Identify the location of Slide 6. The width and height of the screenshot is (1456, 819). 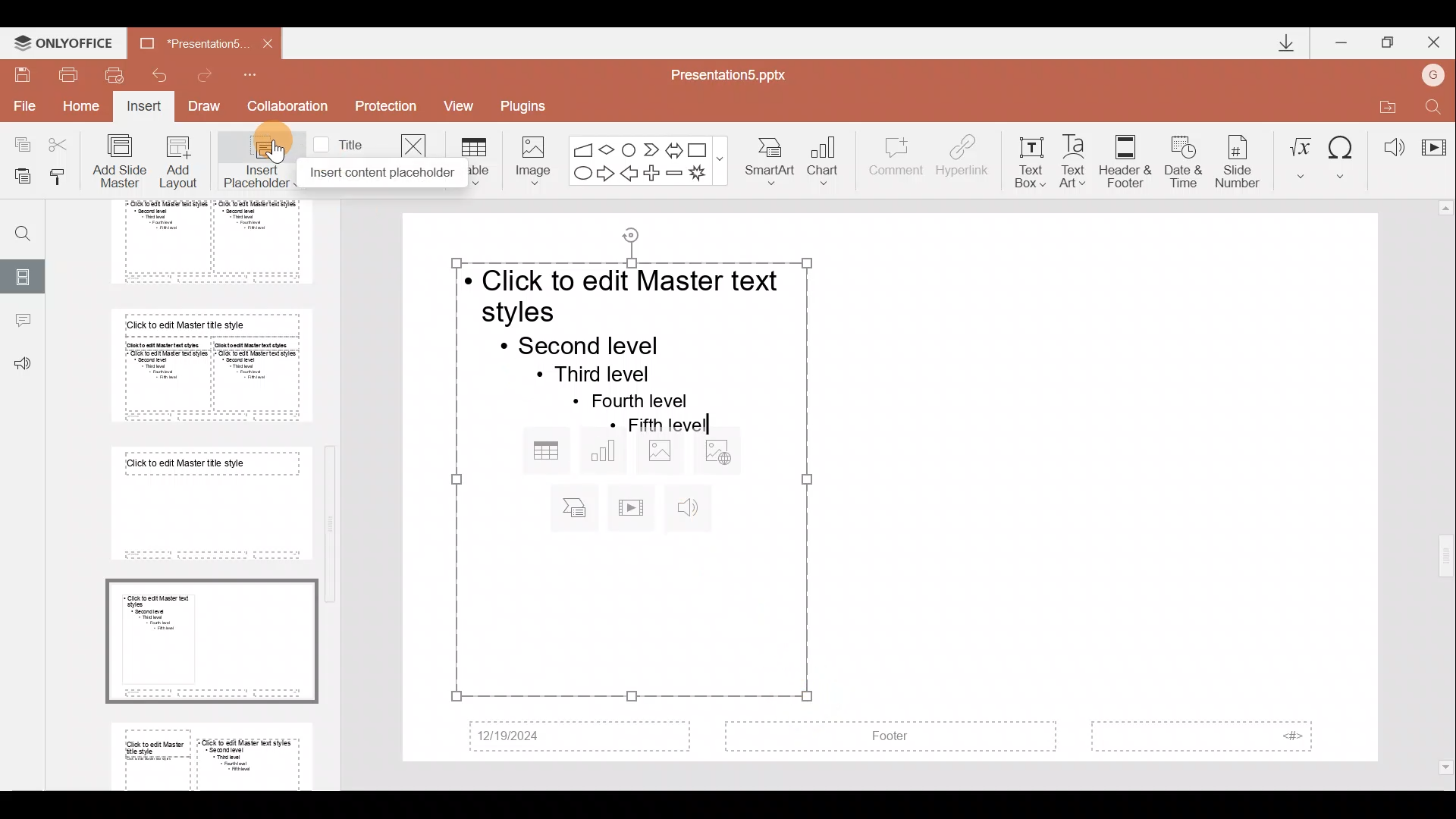
(206, 365).